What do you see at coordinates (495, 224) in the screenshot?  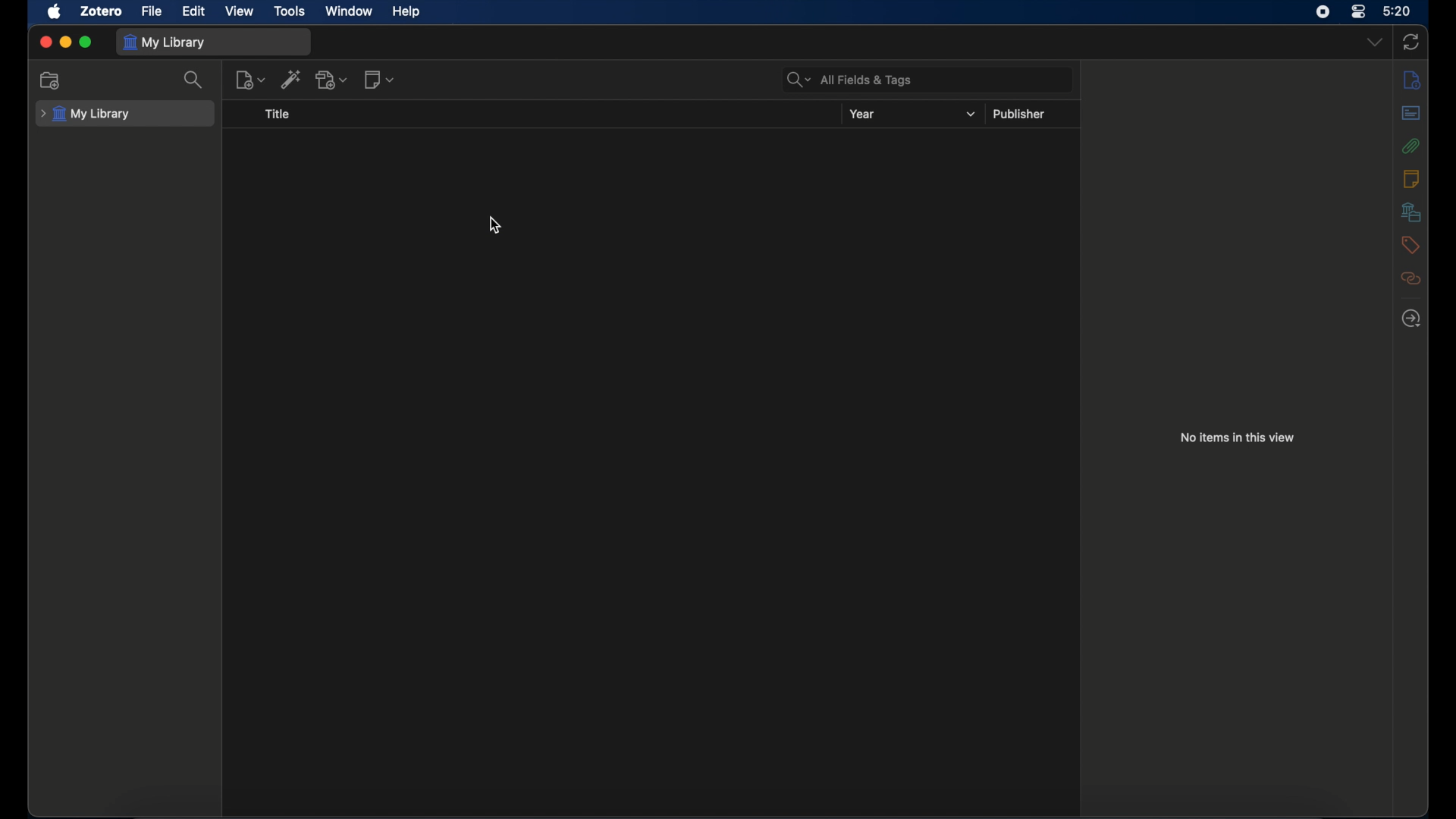 I see `cursor` at bounding box center [495, 224].